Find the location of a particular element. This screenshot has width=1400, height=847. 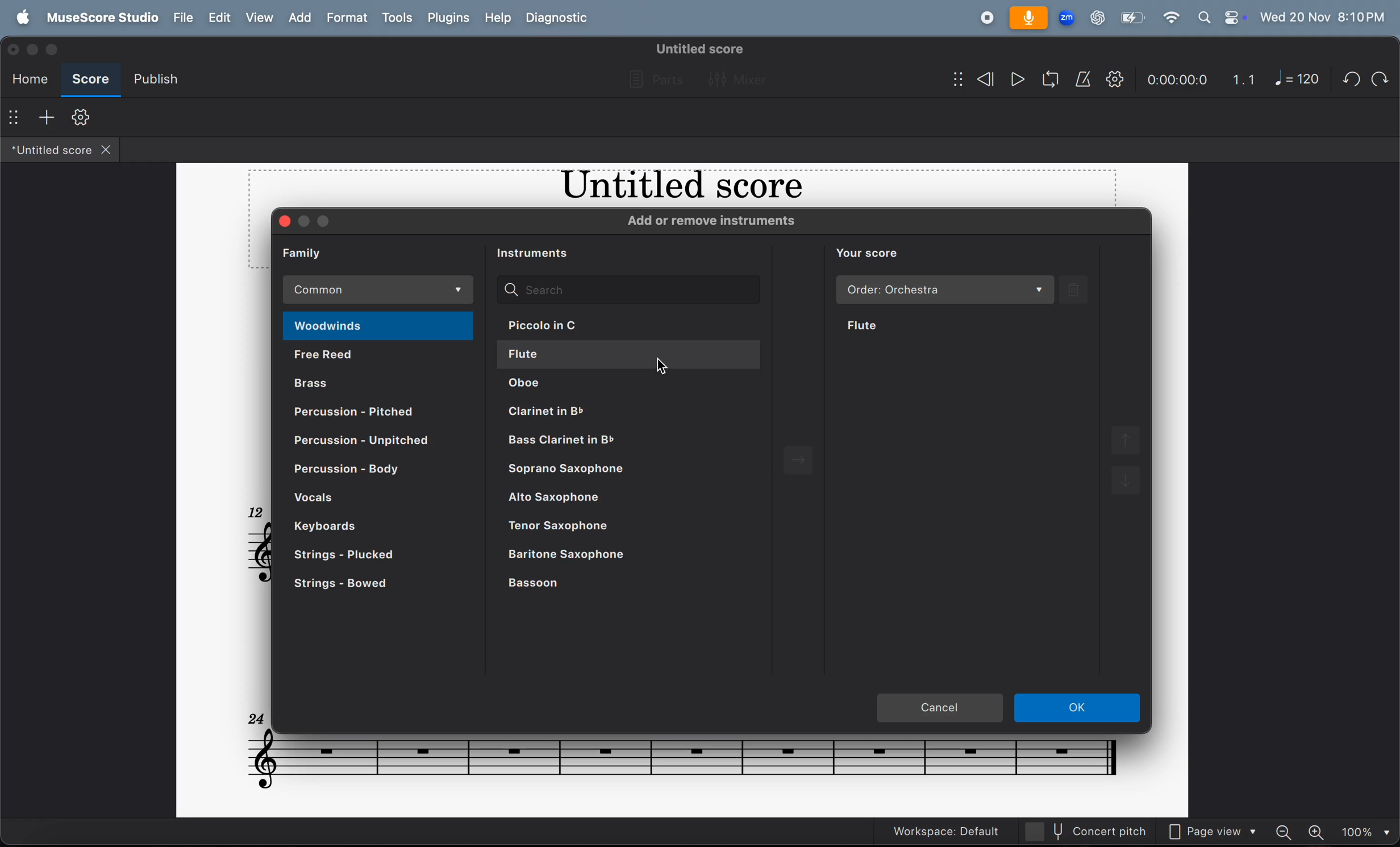

microphone is located at coordinates (1028, 19).